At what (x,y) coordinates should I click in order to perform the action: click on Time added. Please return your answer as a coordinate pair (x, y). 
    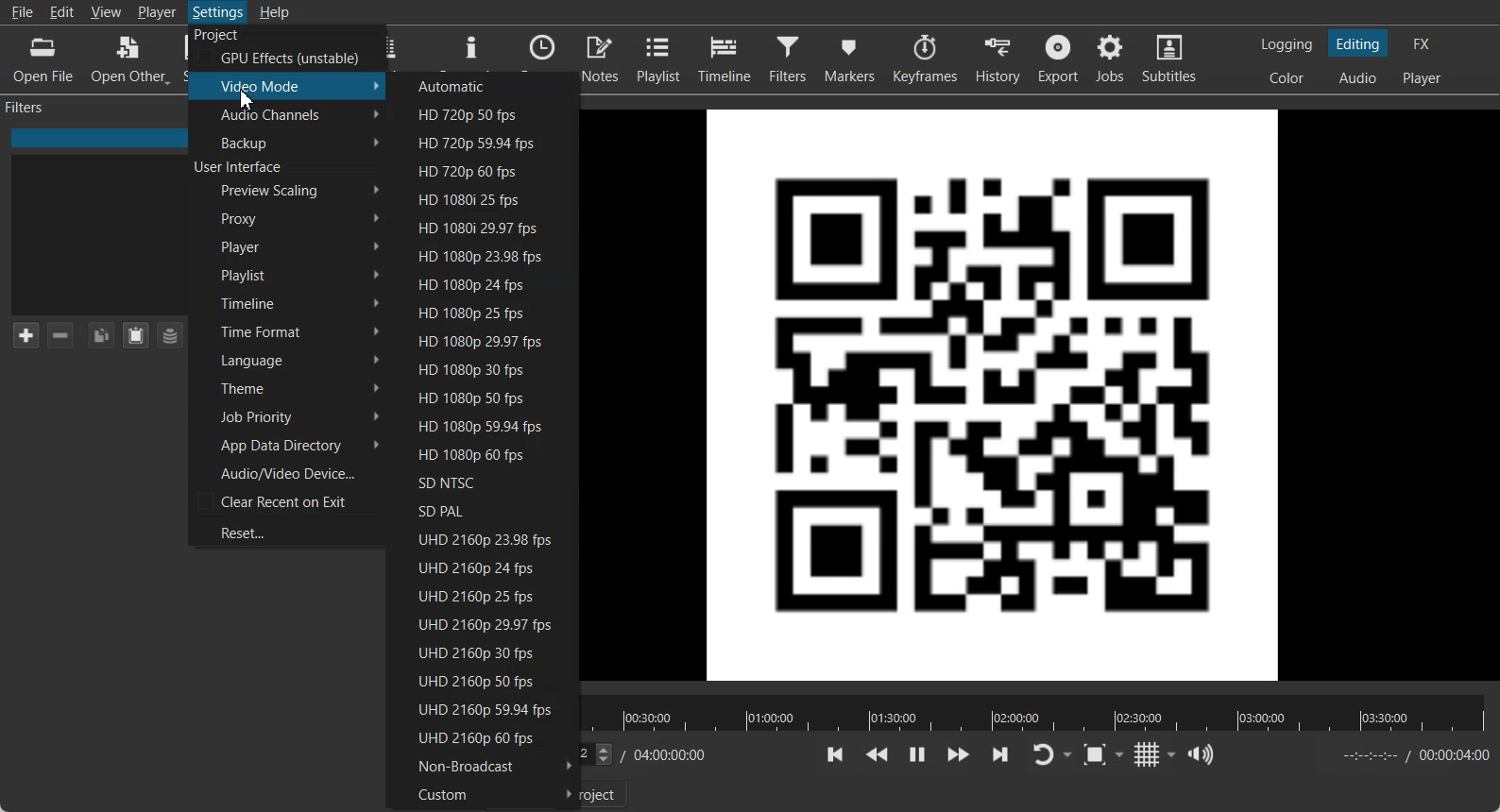
    Looking at the image, I should click on (654, 754).